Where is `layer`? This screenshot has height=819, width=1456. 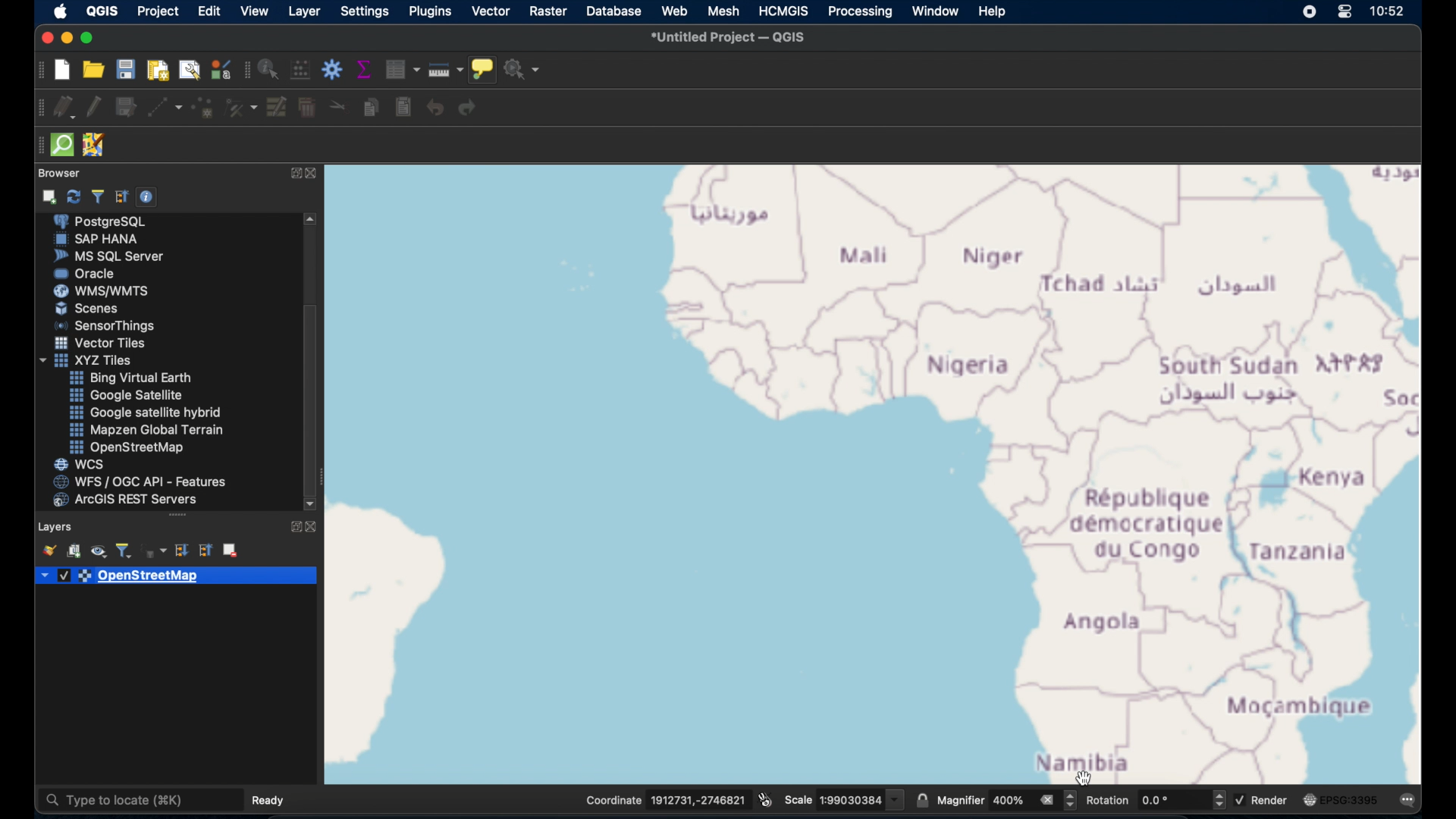 layer is located at coordinates (306, 12).